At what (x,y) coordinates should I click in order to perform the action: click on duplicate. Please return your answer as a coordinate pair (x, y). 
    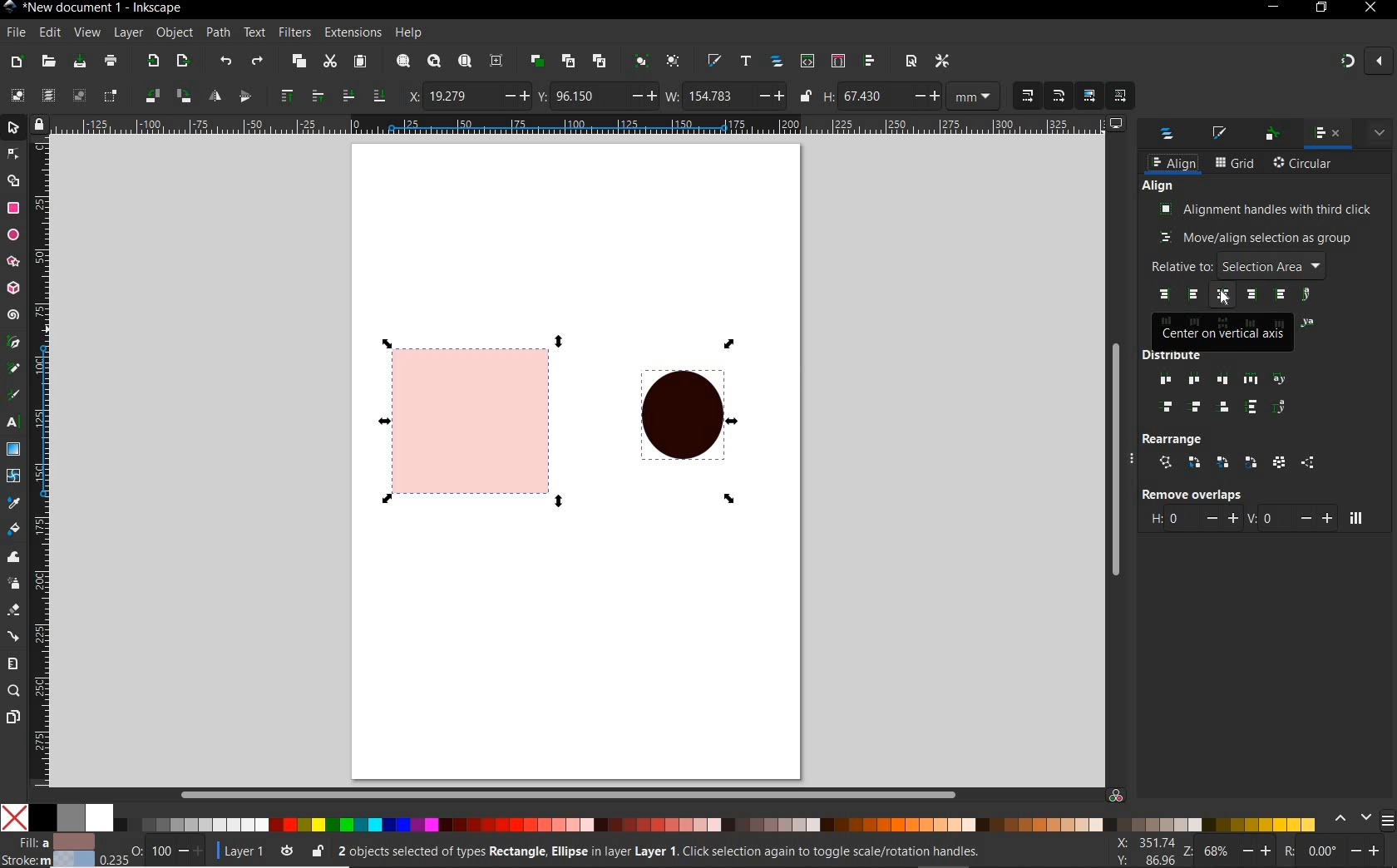
    Looking at the image, I should click on (538, 62).